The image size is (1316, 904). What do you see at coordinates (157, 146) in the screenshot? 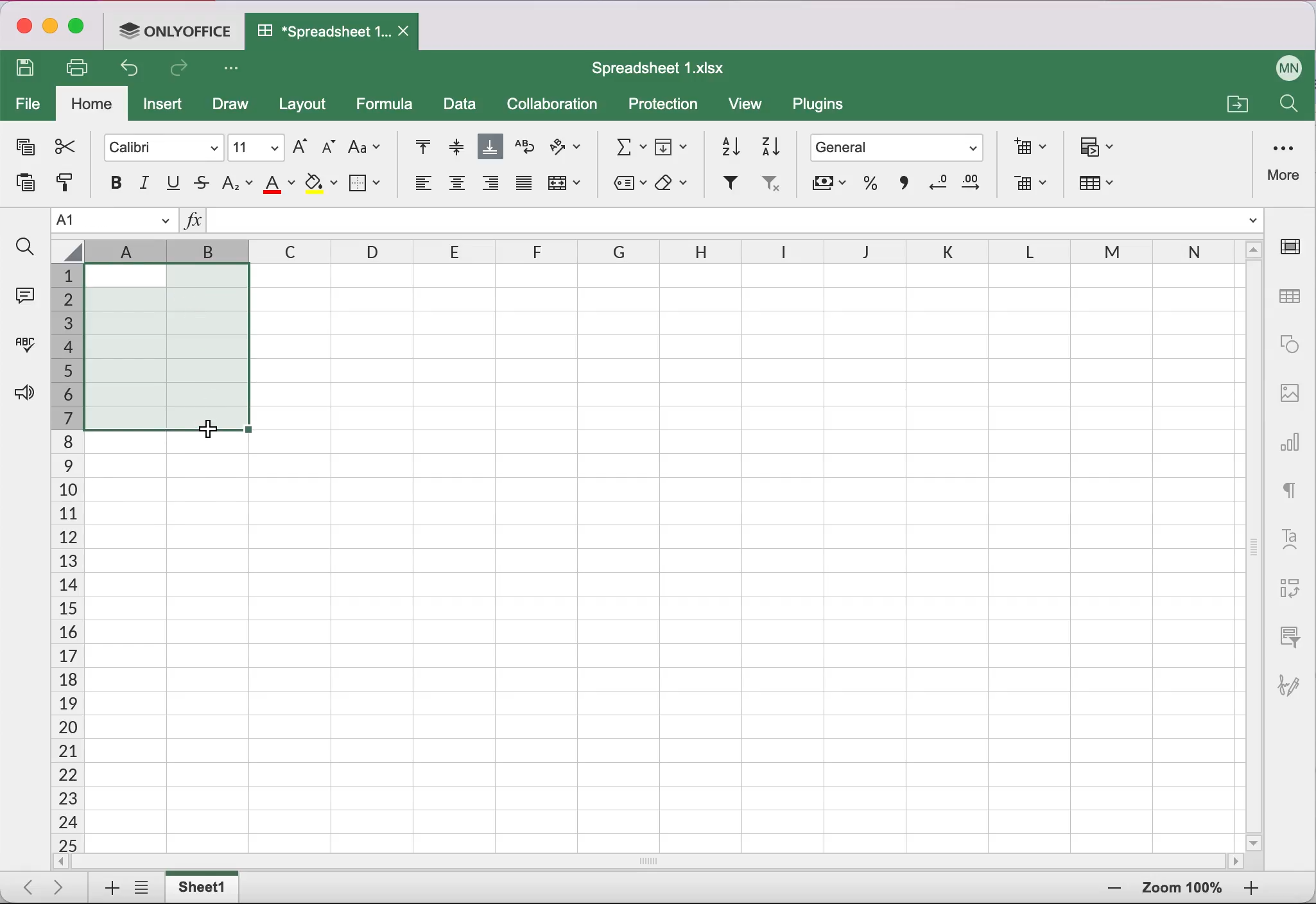
I see `font type calibri` at bounding box center [157, 146].